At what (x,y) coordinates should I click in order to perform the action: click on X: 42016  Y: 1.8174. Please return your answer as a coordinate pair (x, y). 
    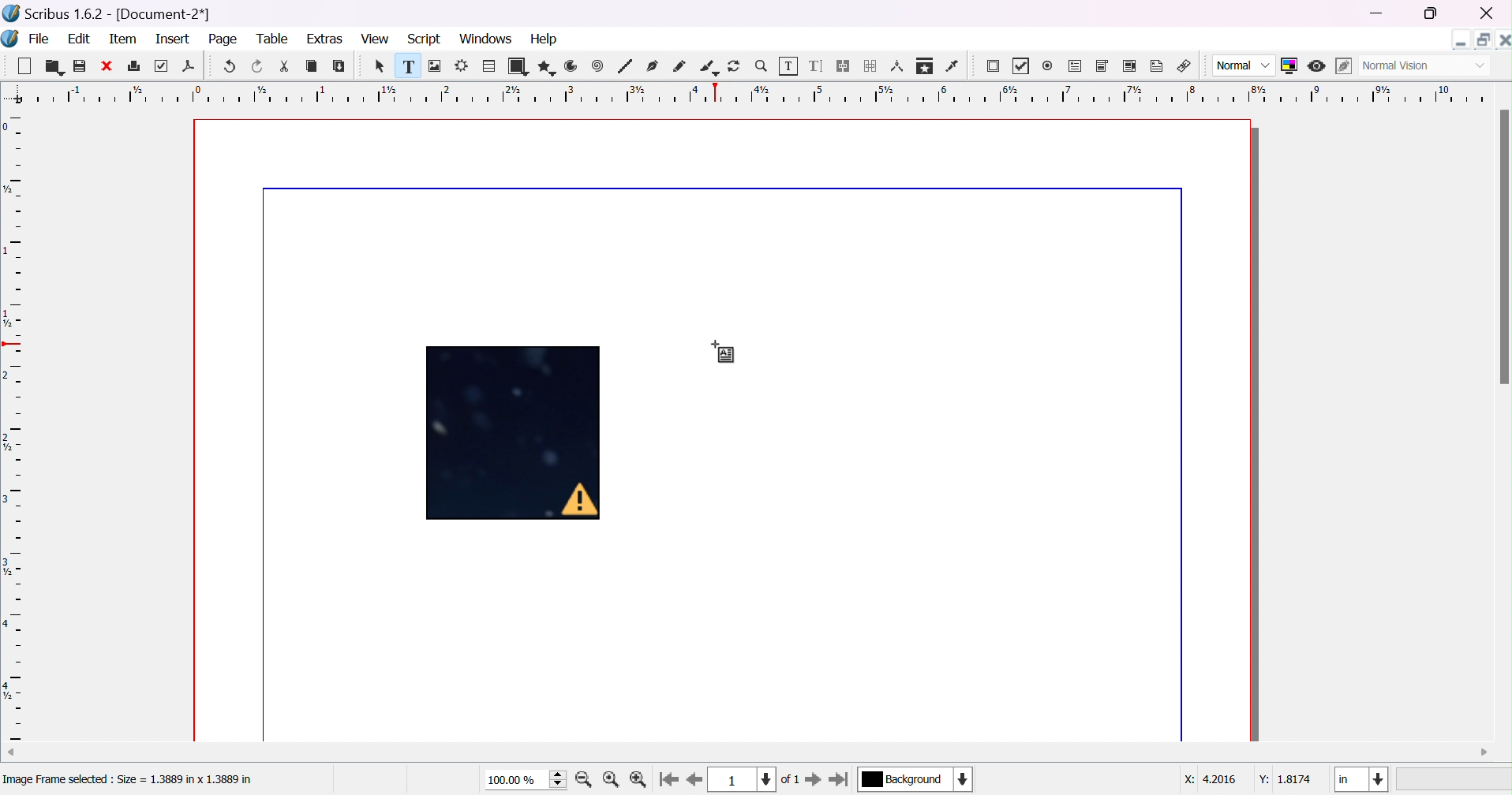
    Looking at the image, I should click on (1248, 780).